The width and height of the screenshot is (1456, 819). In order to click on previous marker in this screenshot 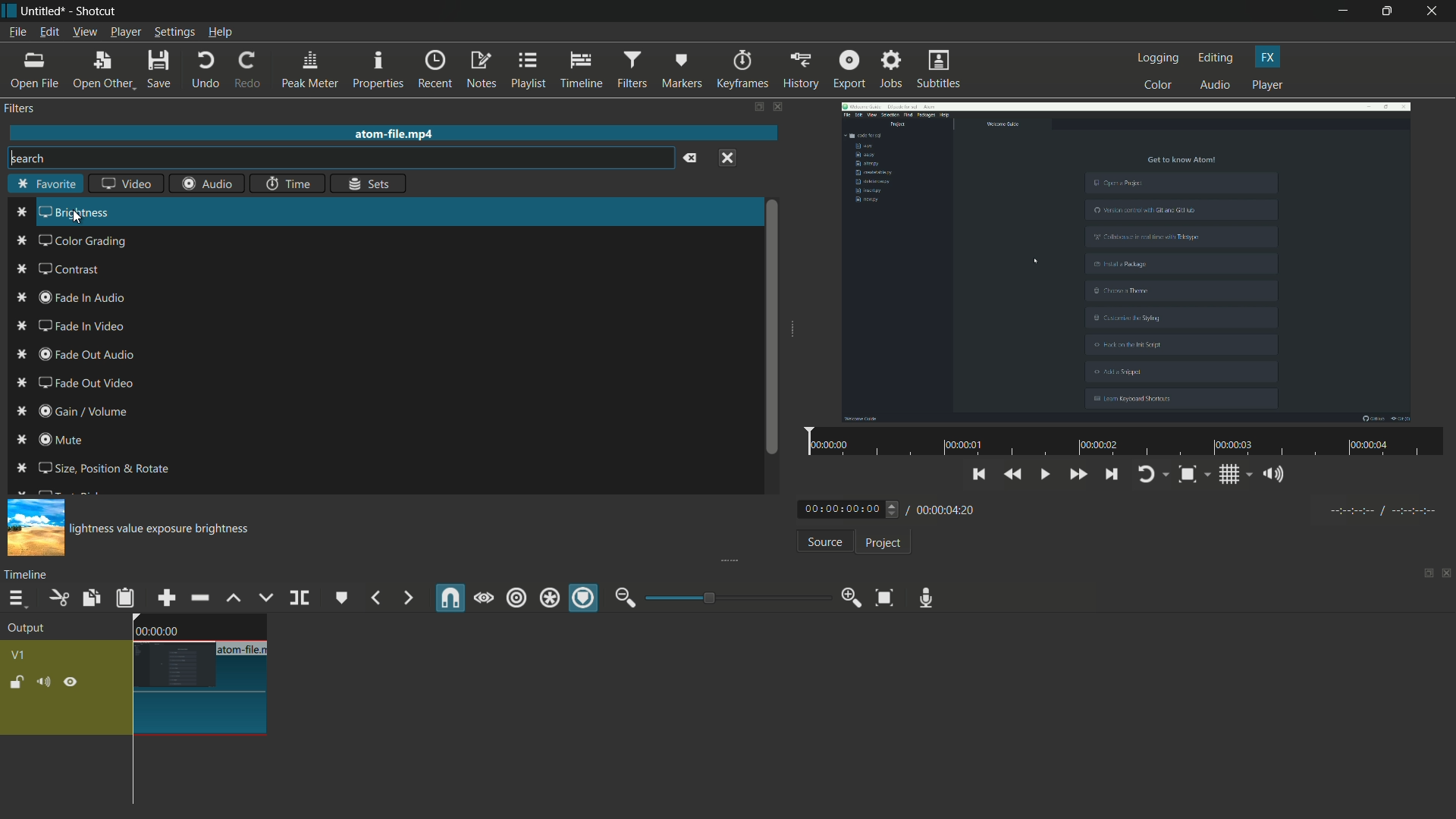, I will do `click(375, 598)`.